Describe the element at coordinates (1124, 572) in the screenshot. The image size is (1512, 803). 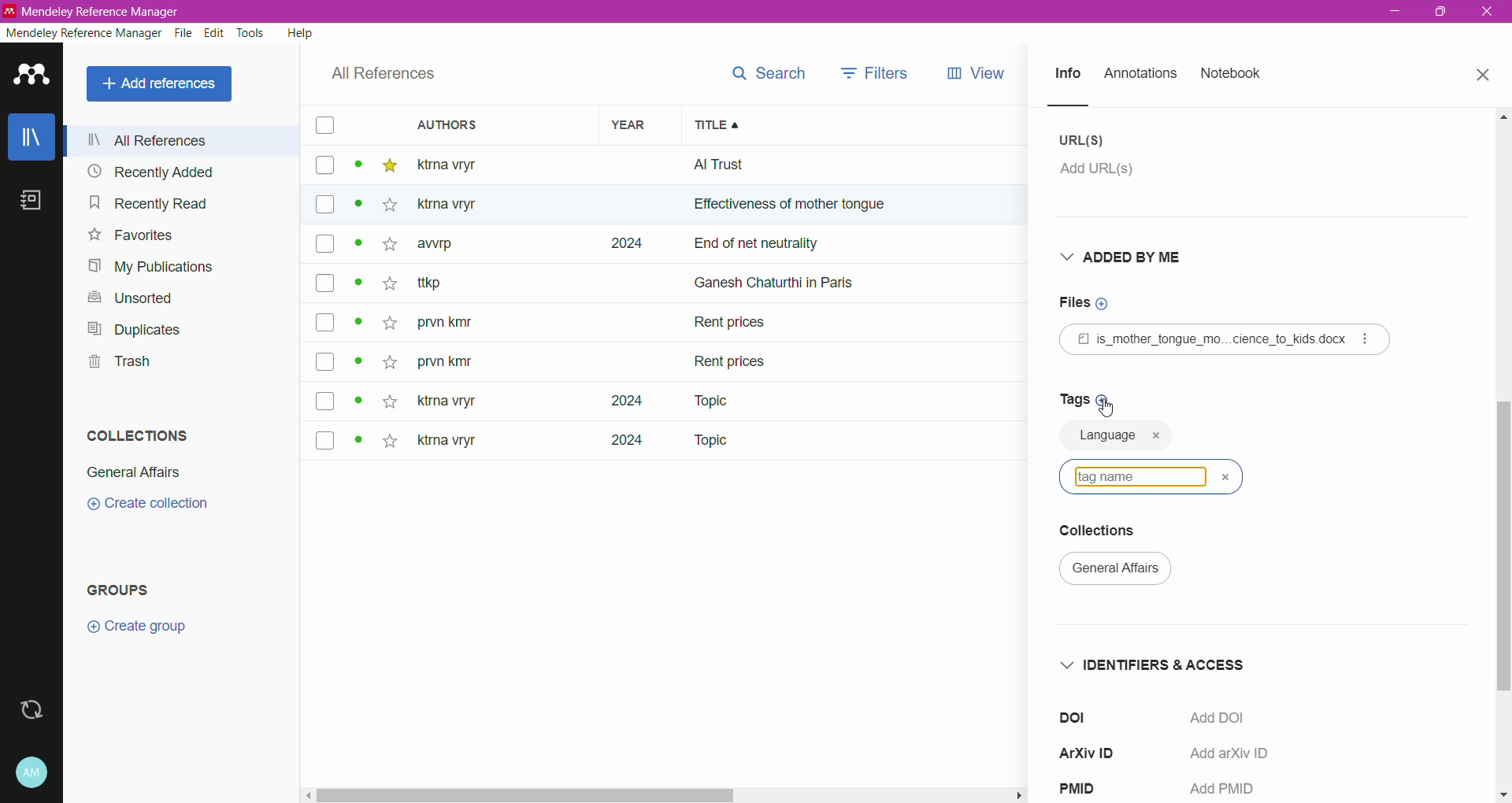
I see `general affairs` at that location.